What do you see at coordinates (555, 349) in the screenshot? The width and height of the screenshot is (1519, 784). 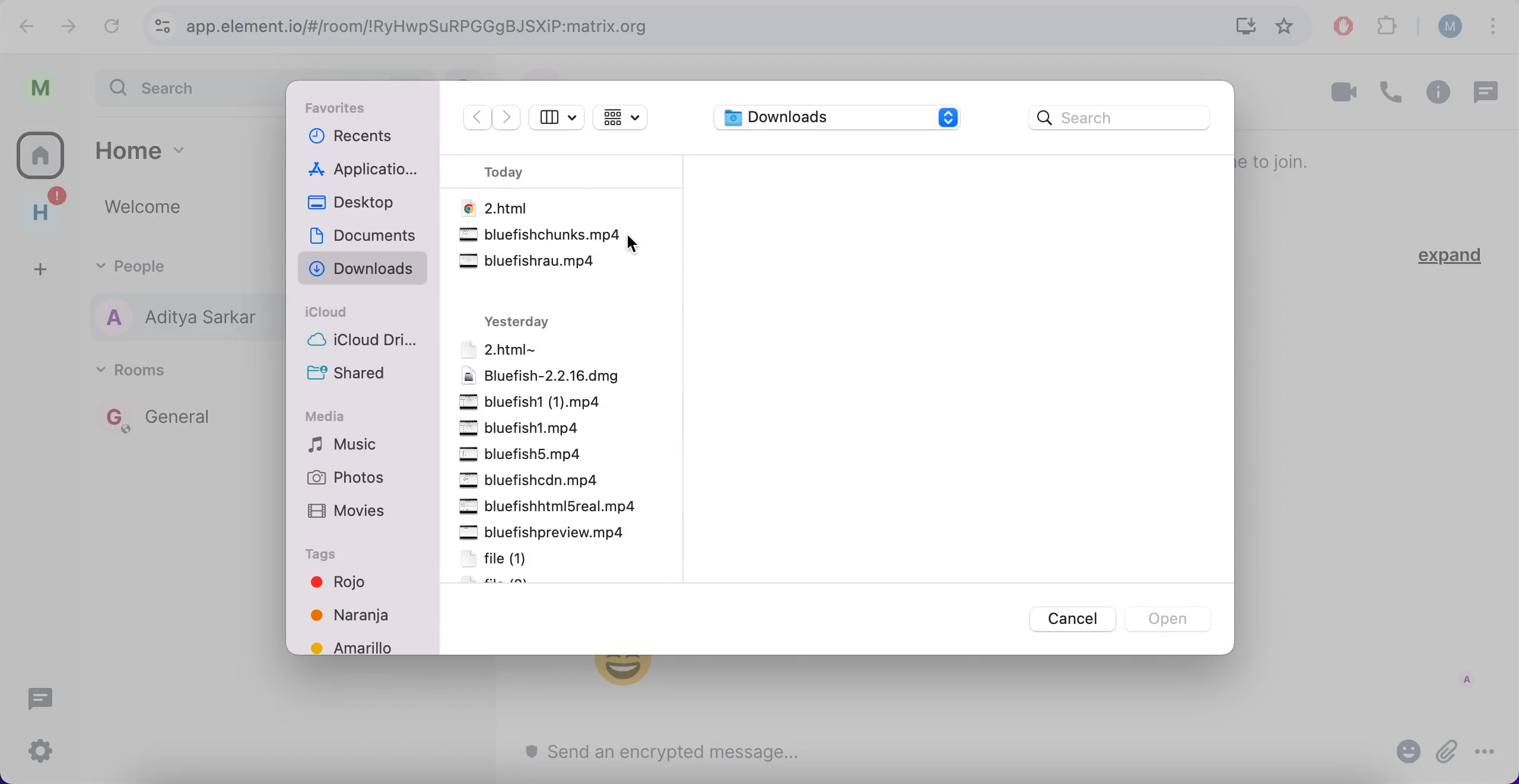 I see `file` at bounding box center [555, 349].